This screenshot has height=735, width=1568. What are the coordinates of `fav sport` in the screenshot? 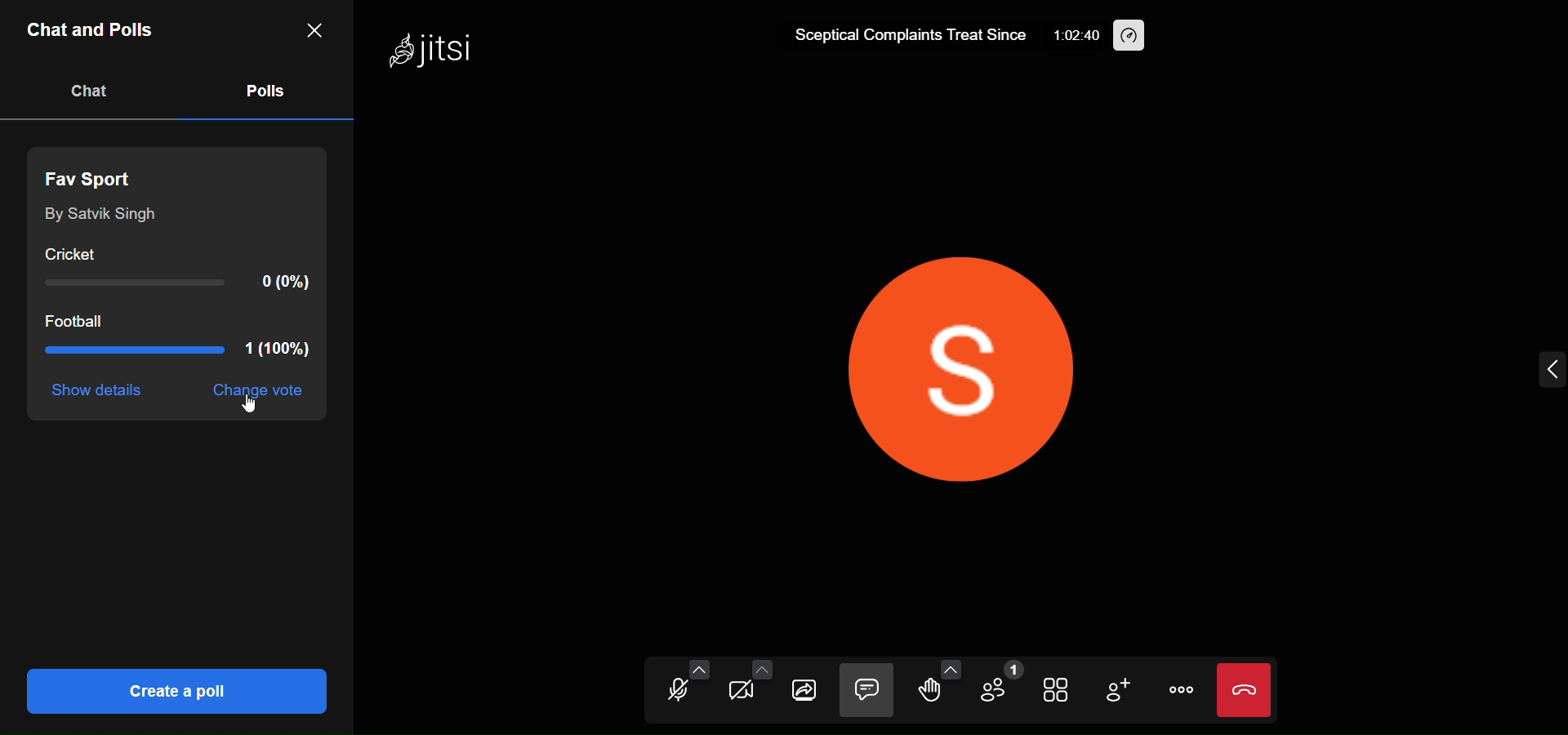 It's located at (96, 176).